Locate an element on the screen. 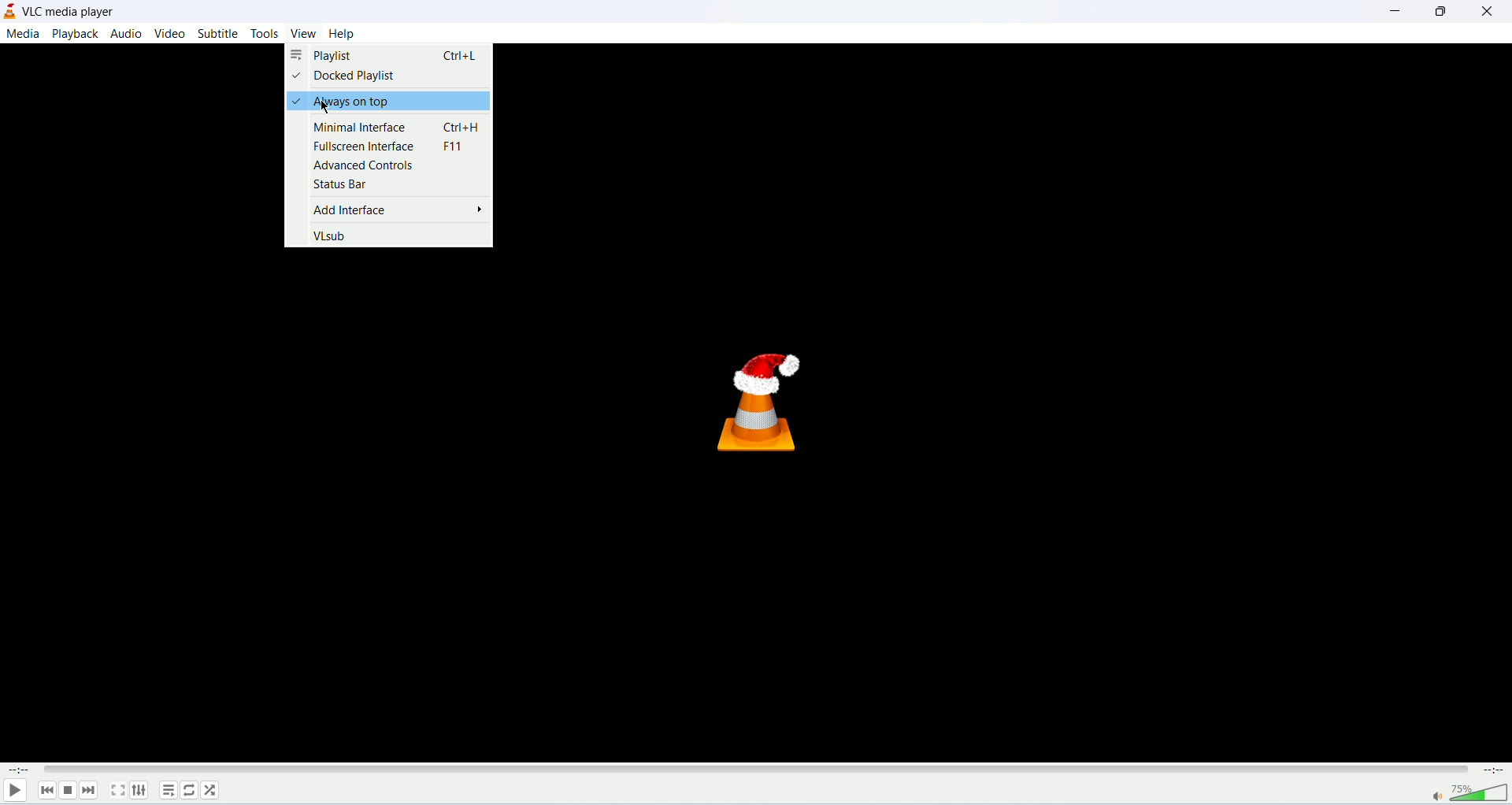 This screenshot has height=805, width=1512. subtitle is located at coordinates (220, 34).